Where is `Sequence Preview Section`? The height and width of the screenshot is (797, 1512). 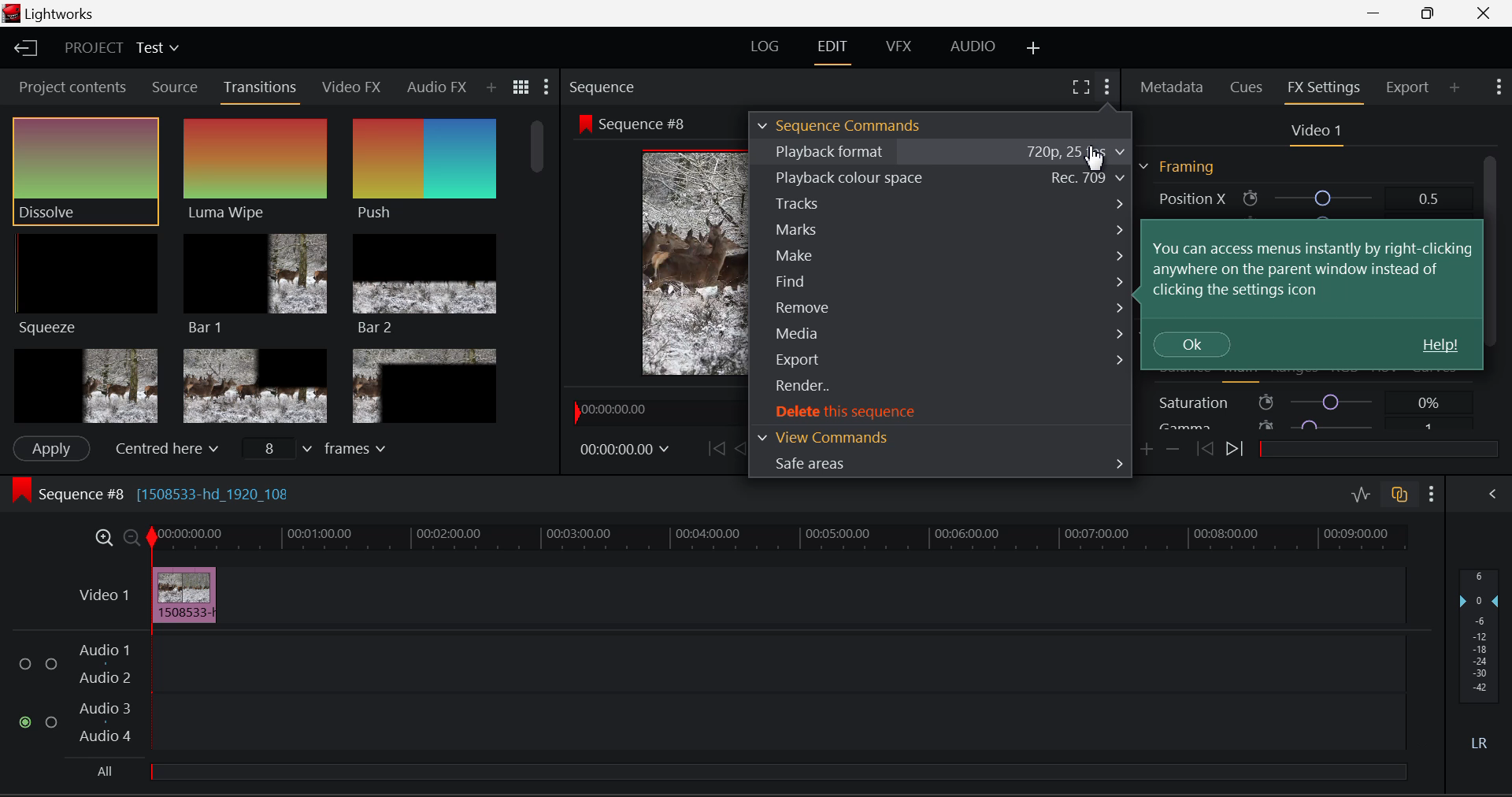 Sequence Preview Section is located at coordinates (600, 84).